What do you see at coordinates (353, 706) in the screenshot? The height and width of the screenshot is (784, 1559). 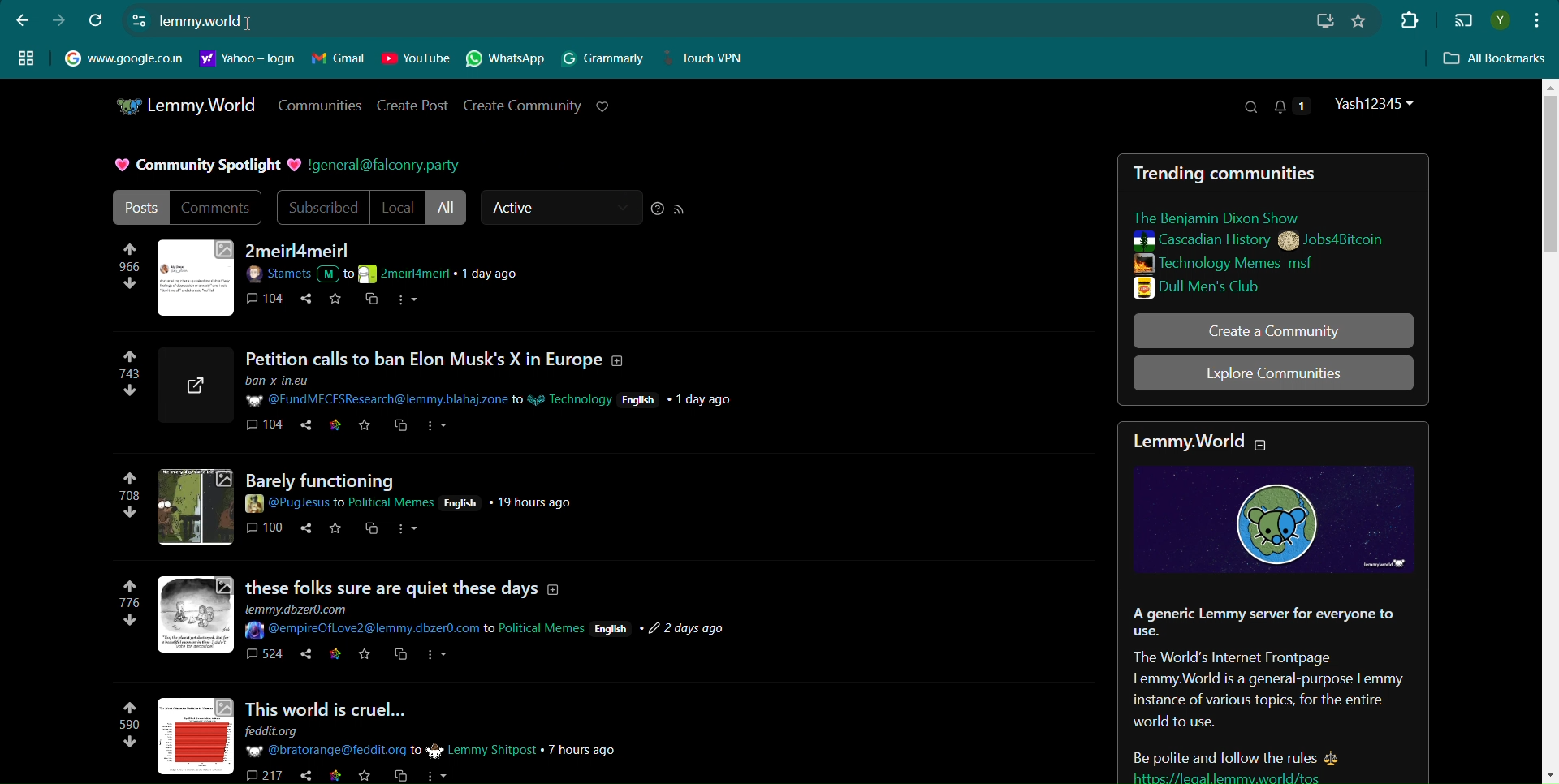 I see `This world is cruel` at bounding box center [353, 706].